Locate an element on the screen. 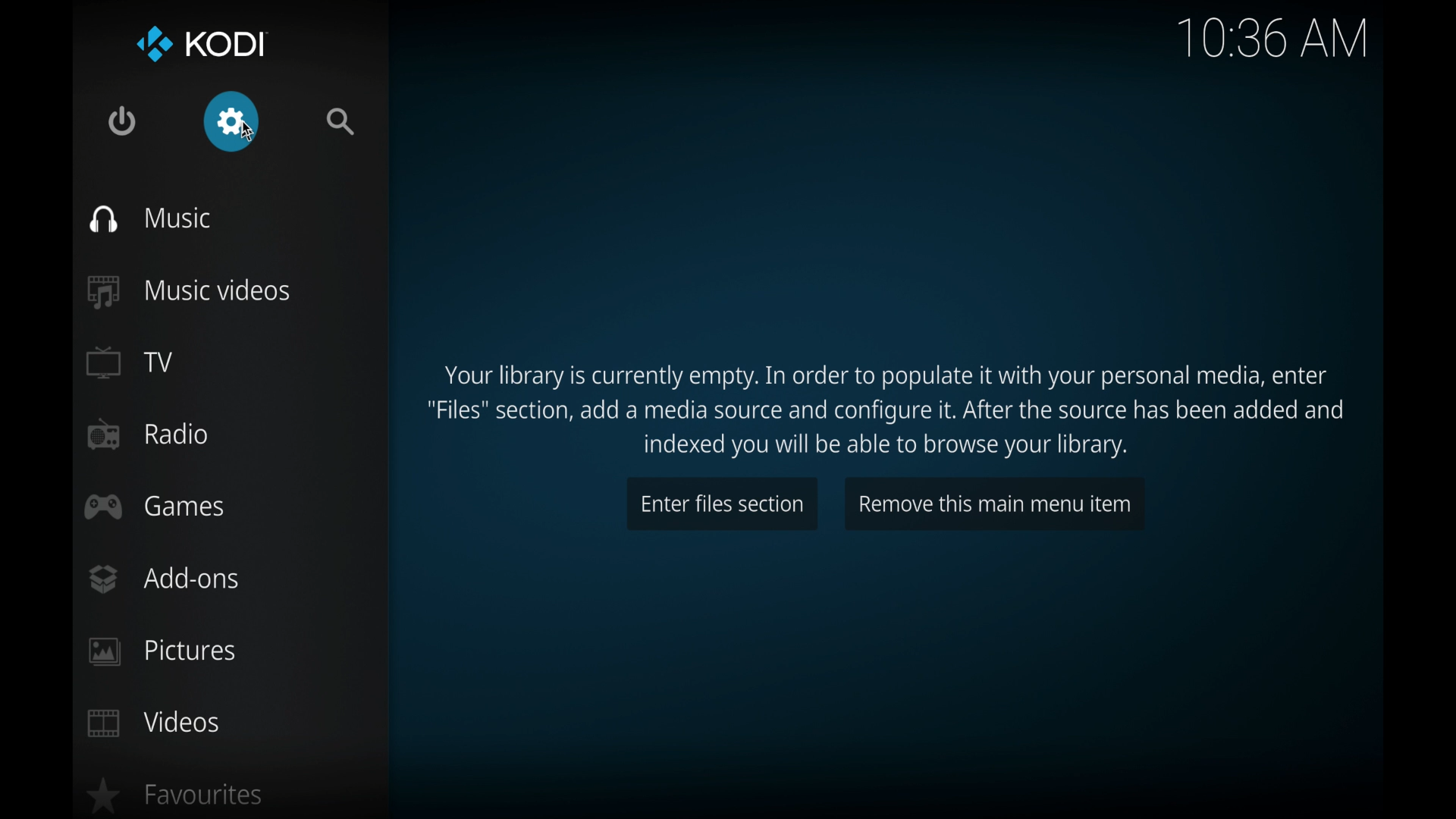 The height and width of the screenshot is (819, 1456). remove this main menu item is located at coordinates (996, 504).